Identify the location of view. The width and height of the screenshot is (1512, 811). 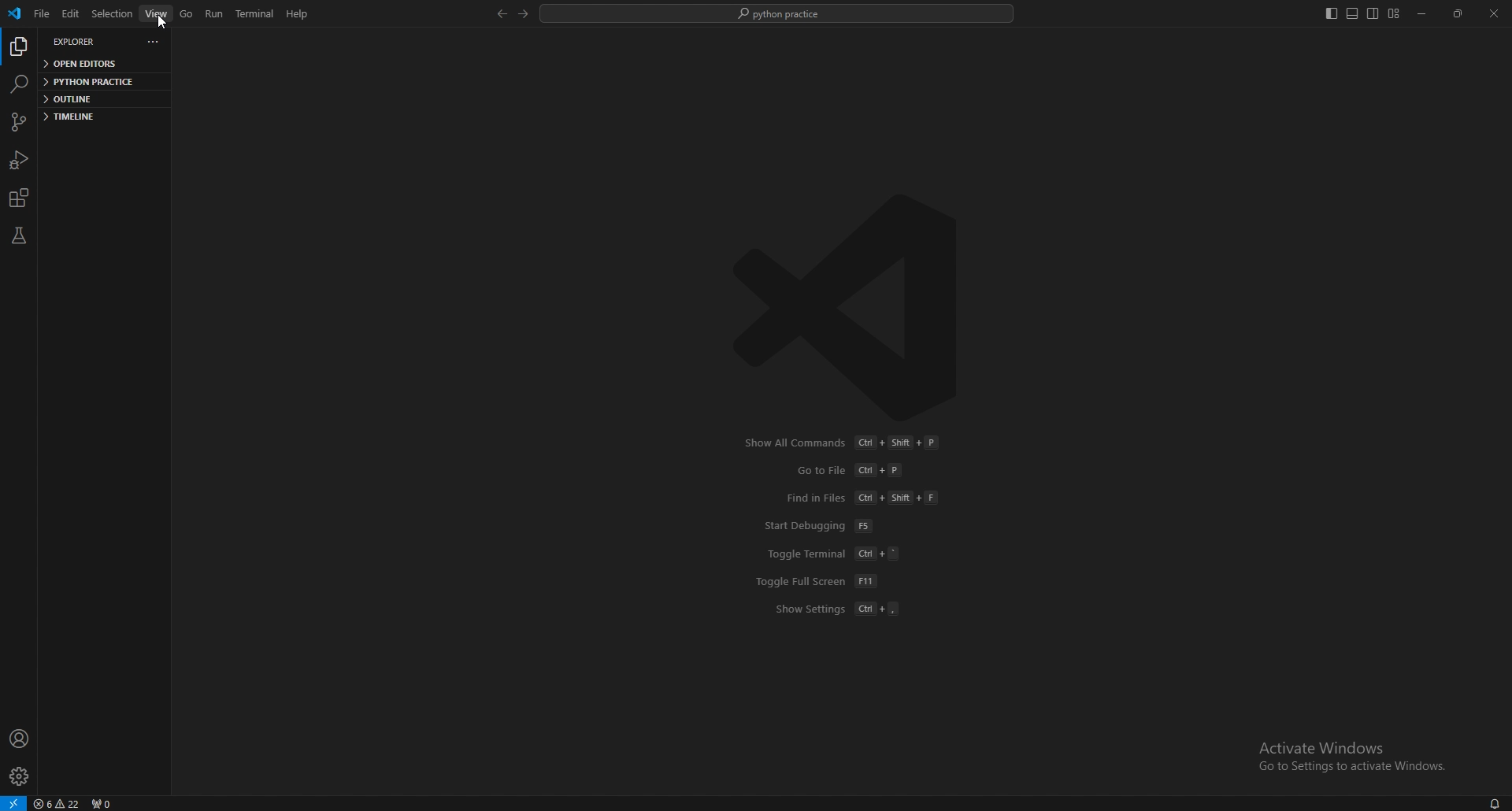
(157, 13).